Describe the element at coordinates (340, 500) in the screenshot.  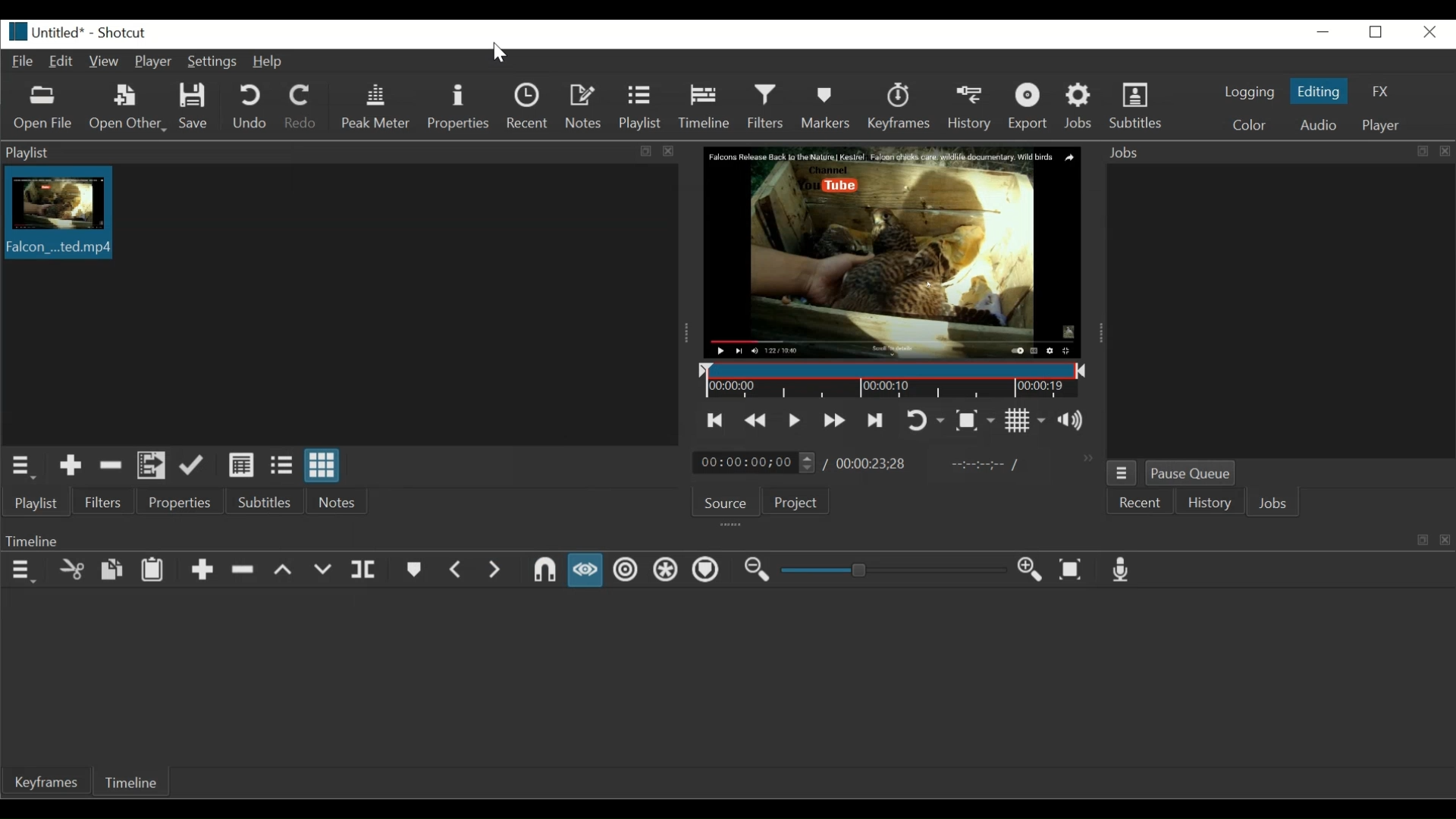
I see `Notes` at that location.